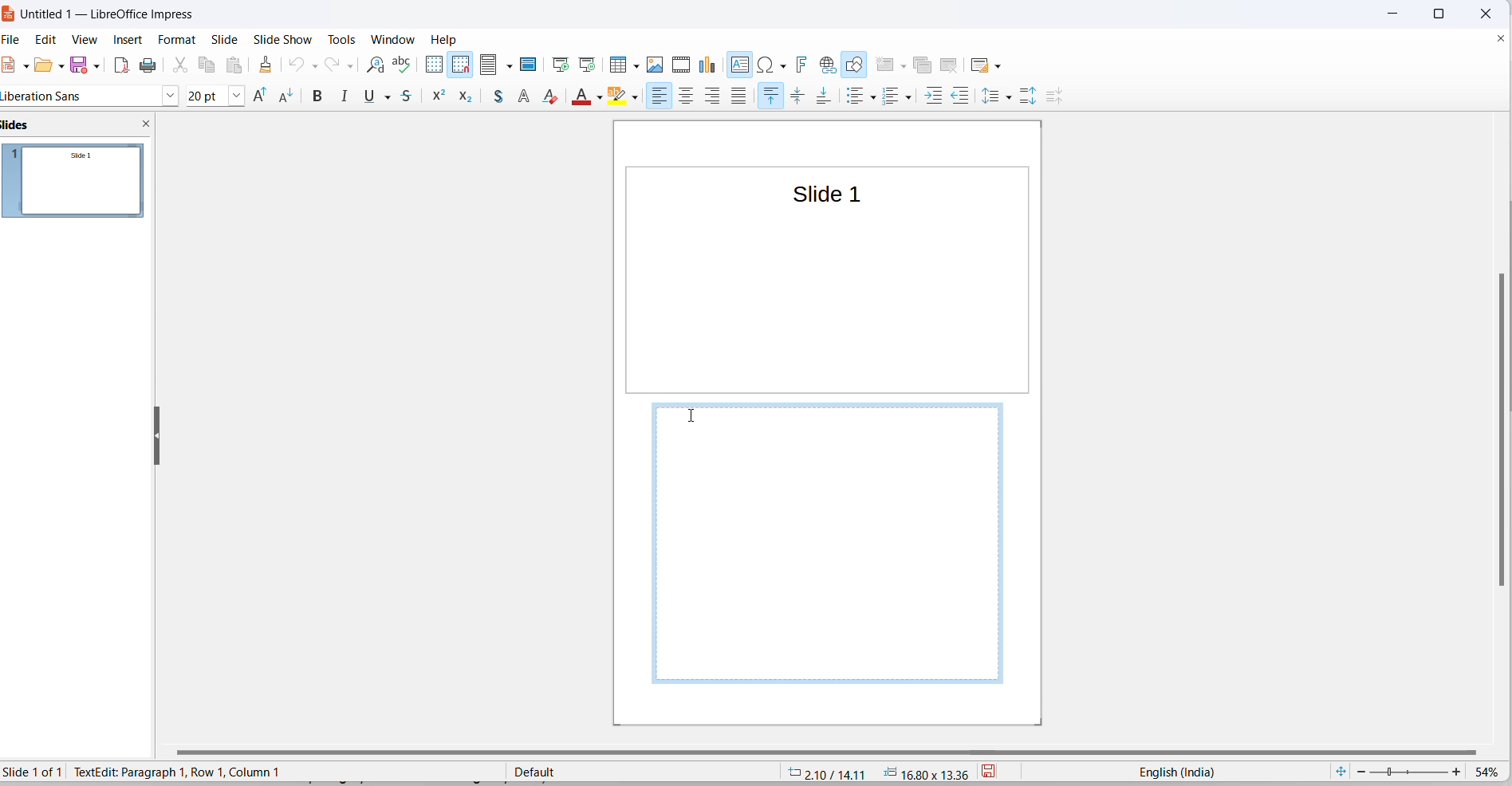 This screenshot has height=786, width=1512. I want to click on delete slide, so click(953, 64).